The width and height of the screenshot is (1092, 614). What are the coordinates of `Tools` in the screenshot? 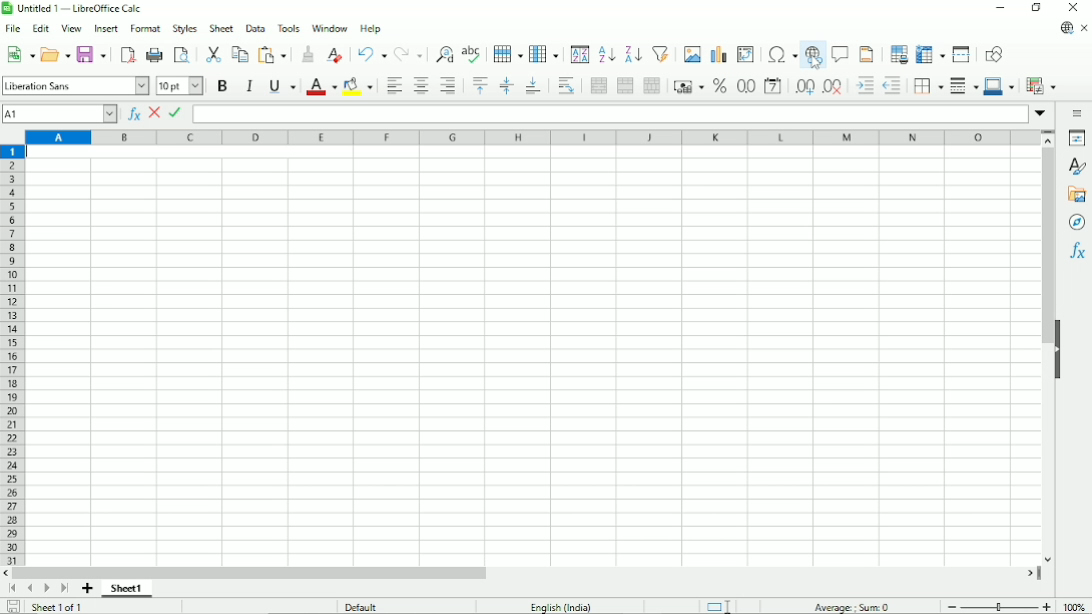 It's located at (289, 27).